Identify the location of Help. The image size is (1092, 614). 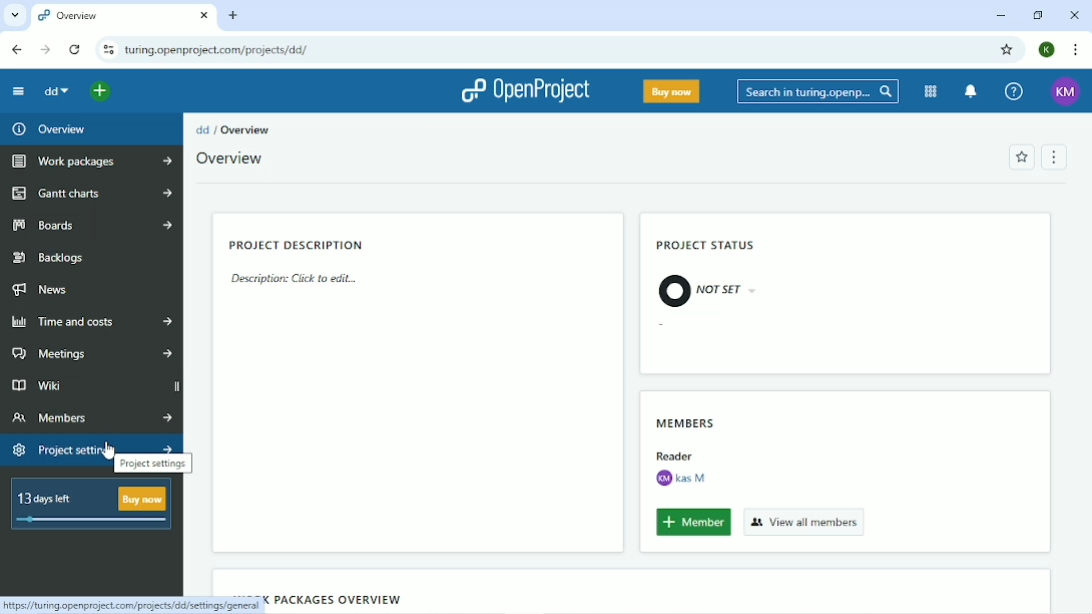
(1014, 91).